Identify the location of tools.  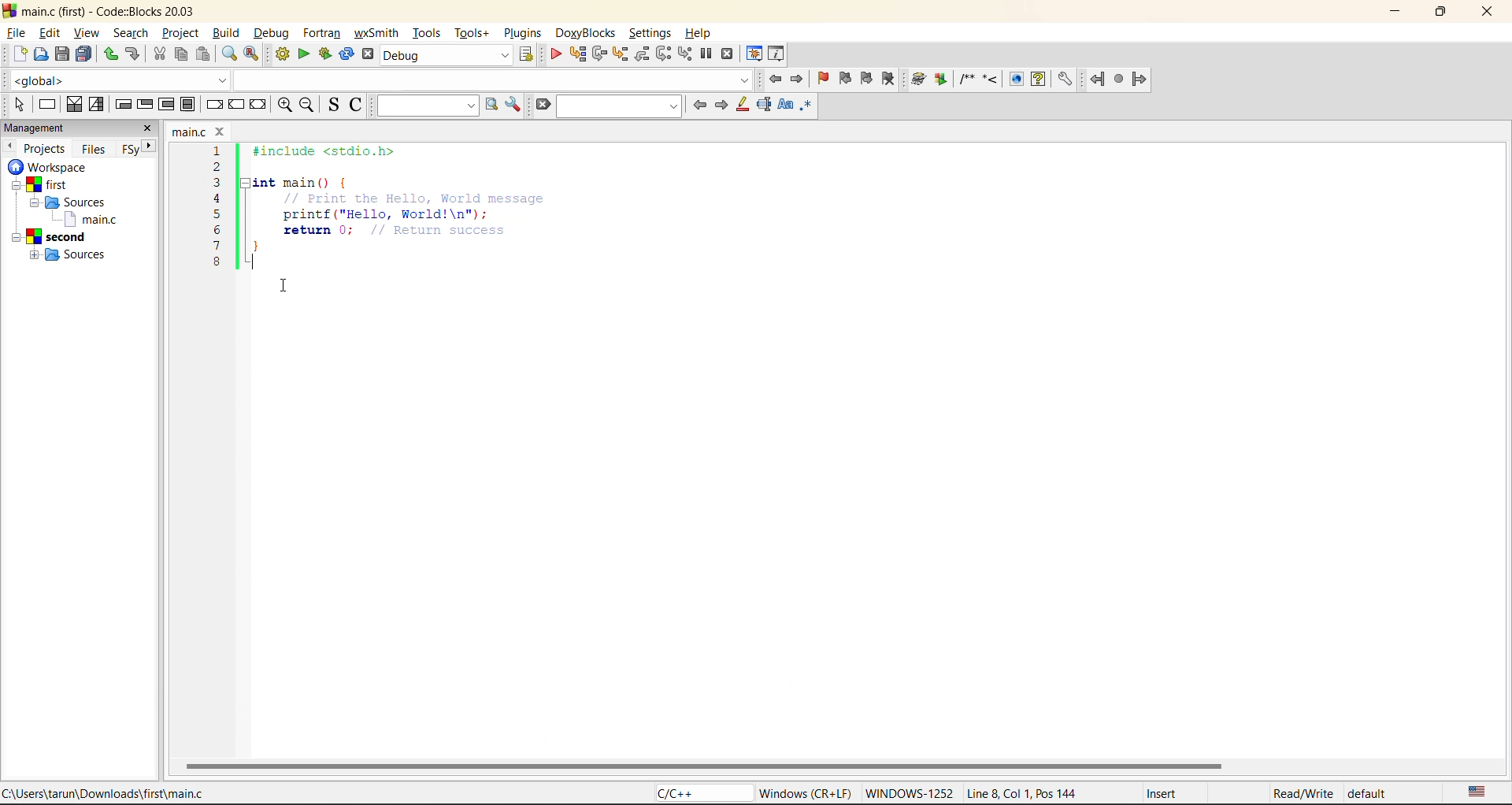
(428, 33).